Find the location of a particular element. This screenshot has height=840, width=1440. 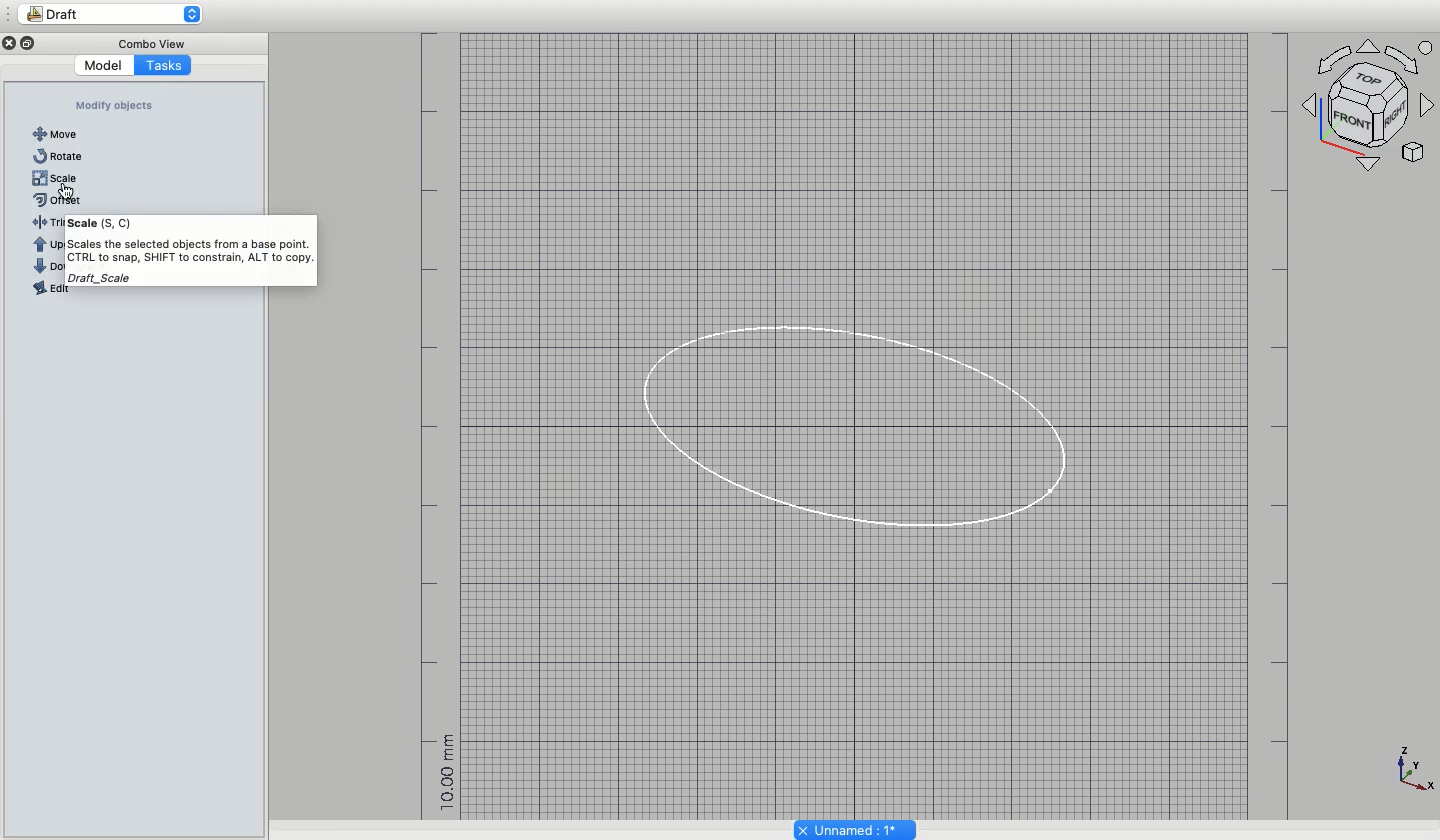

Minimize is located at coordinates (29, 43).